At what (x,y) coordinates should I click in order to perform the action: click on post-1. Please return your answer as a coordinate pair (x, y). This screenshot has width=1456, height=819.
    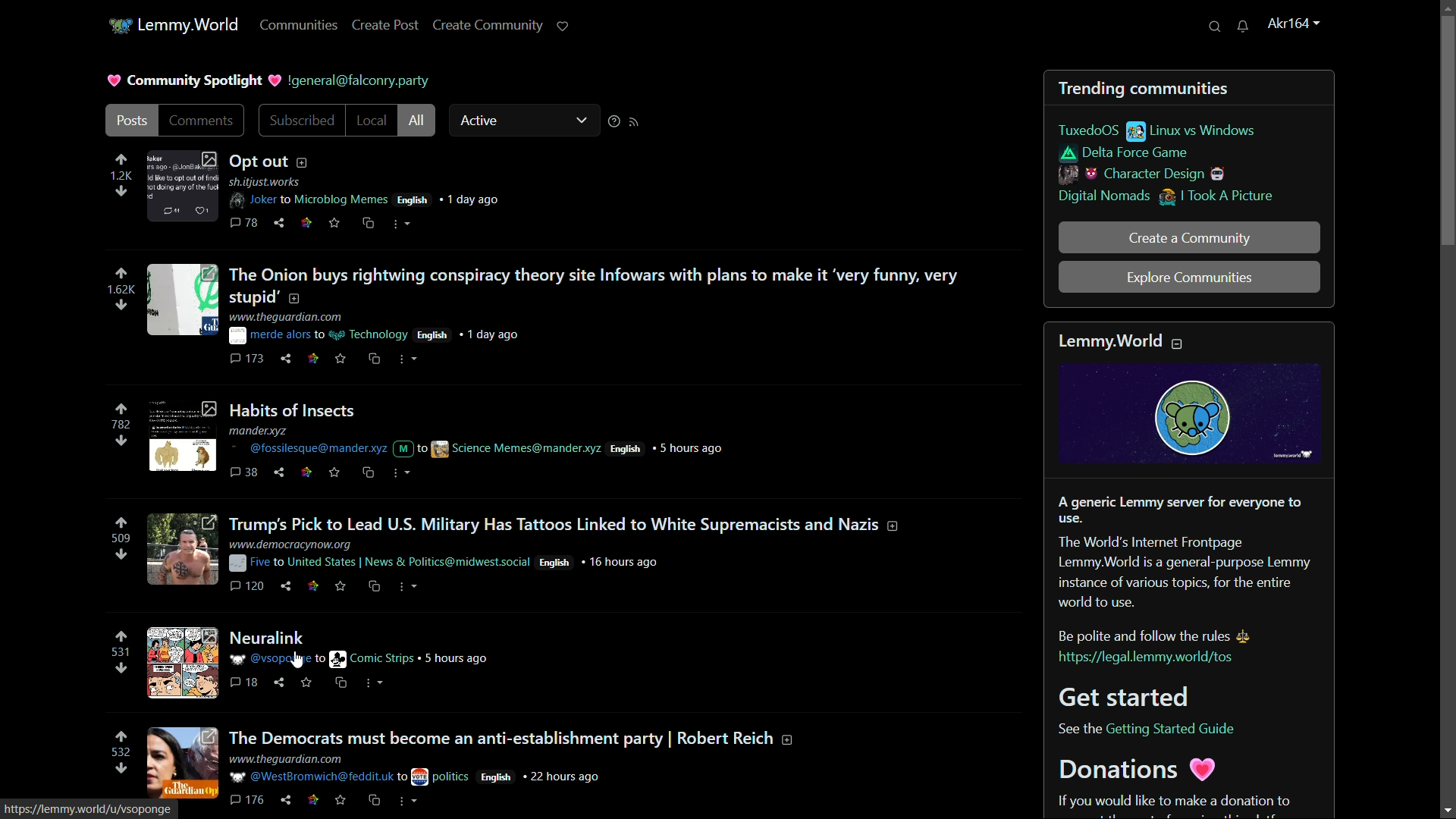
    Looking at the image, I should click on (366, 178).